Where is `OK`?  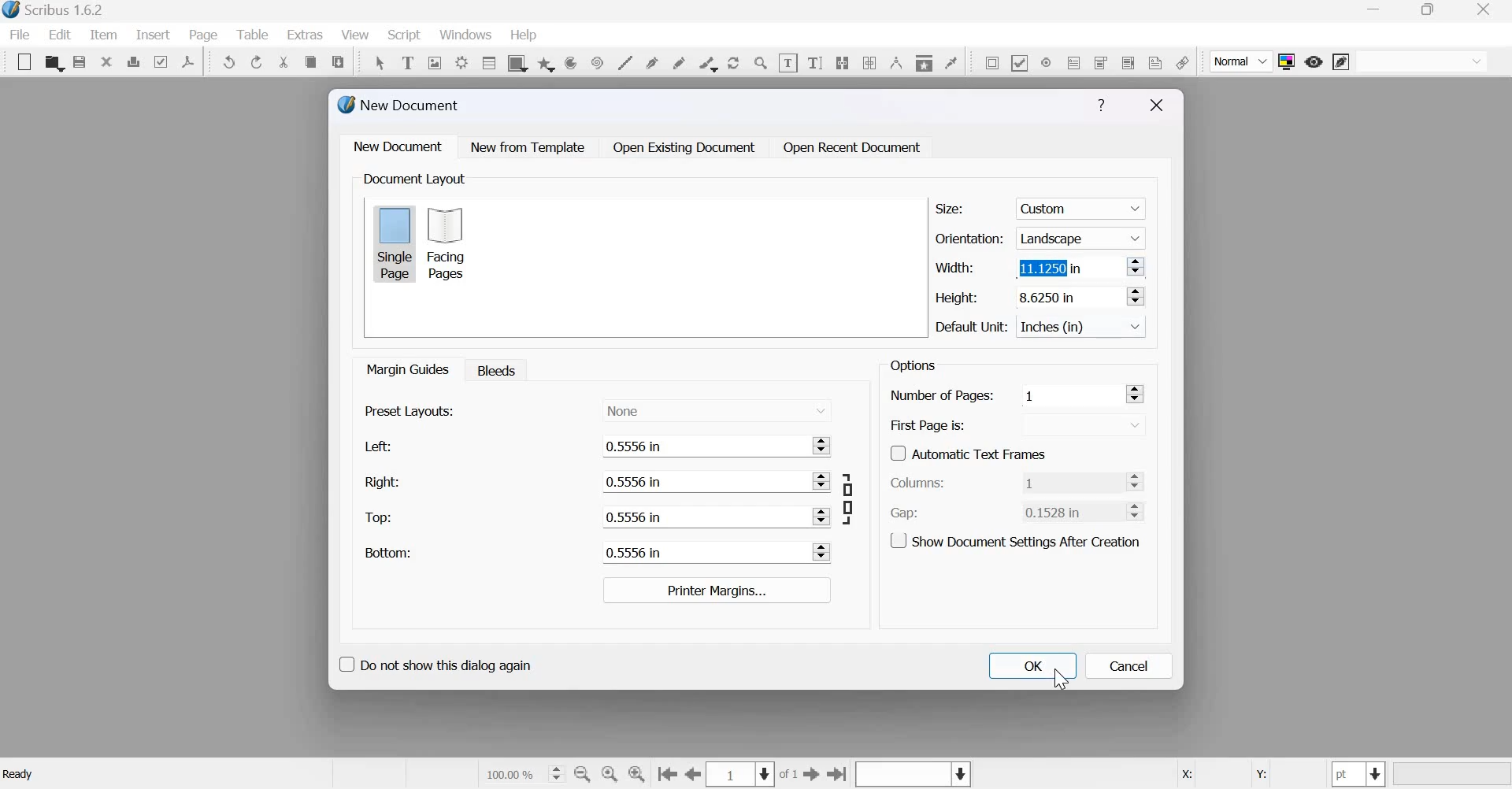 OK is located at coordinates (1032, 665).